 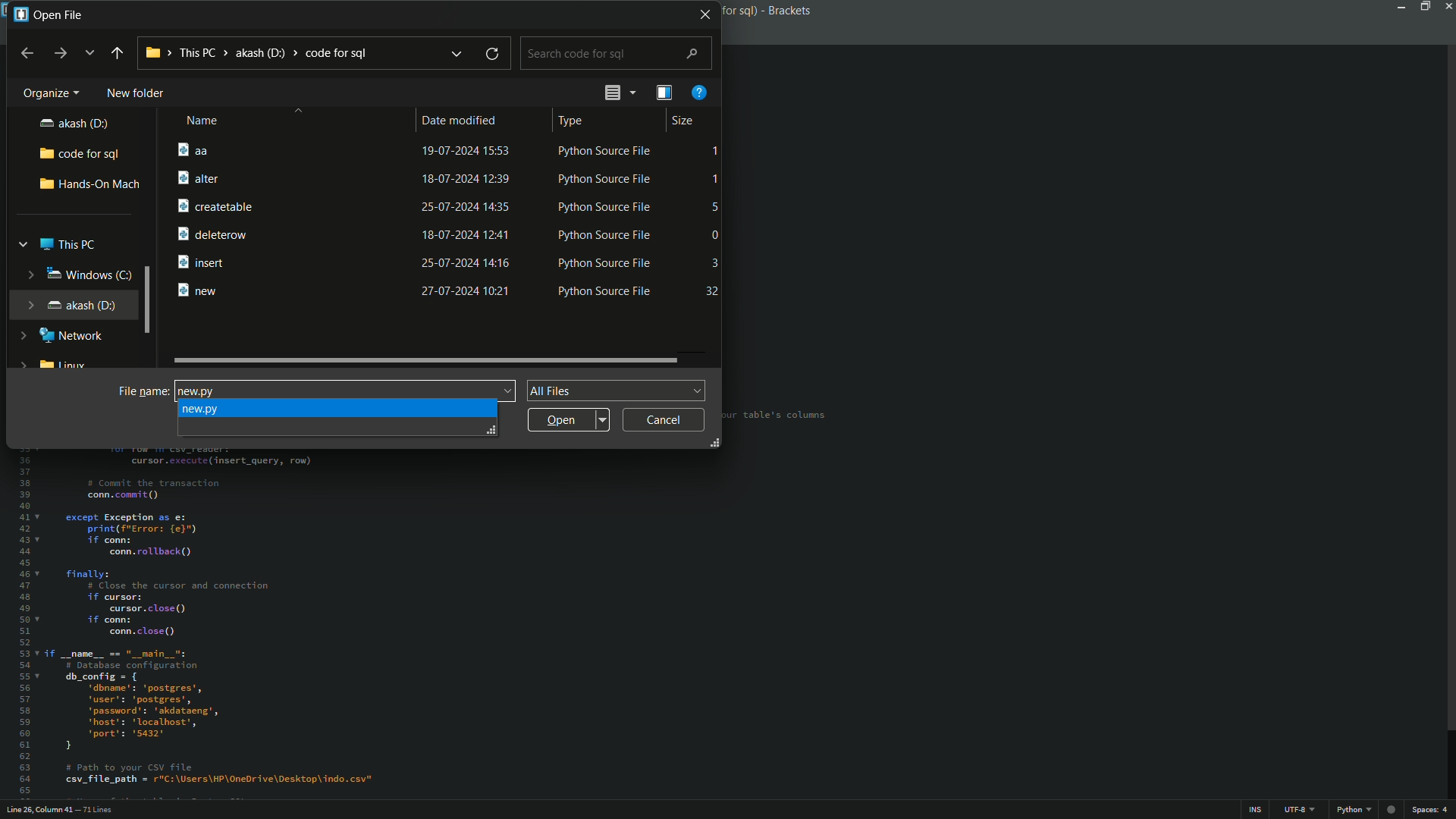 I want to click on createtable, so click(x=214, y=206).